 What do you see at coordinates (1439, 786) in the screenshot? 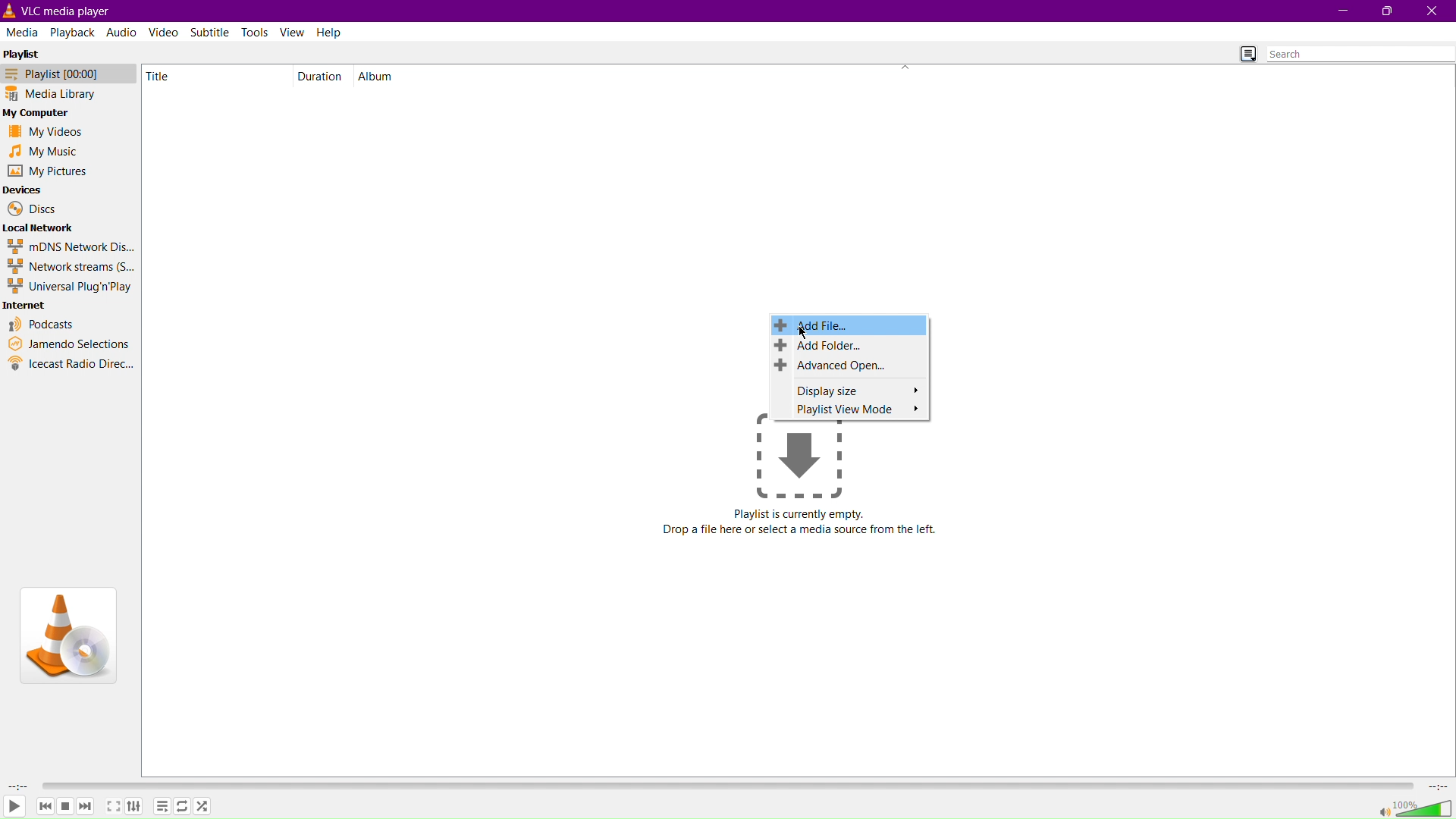
I see `Remaining time` at bounding box center [1439, 786].